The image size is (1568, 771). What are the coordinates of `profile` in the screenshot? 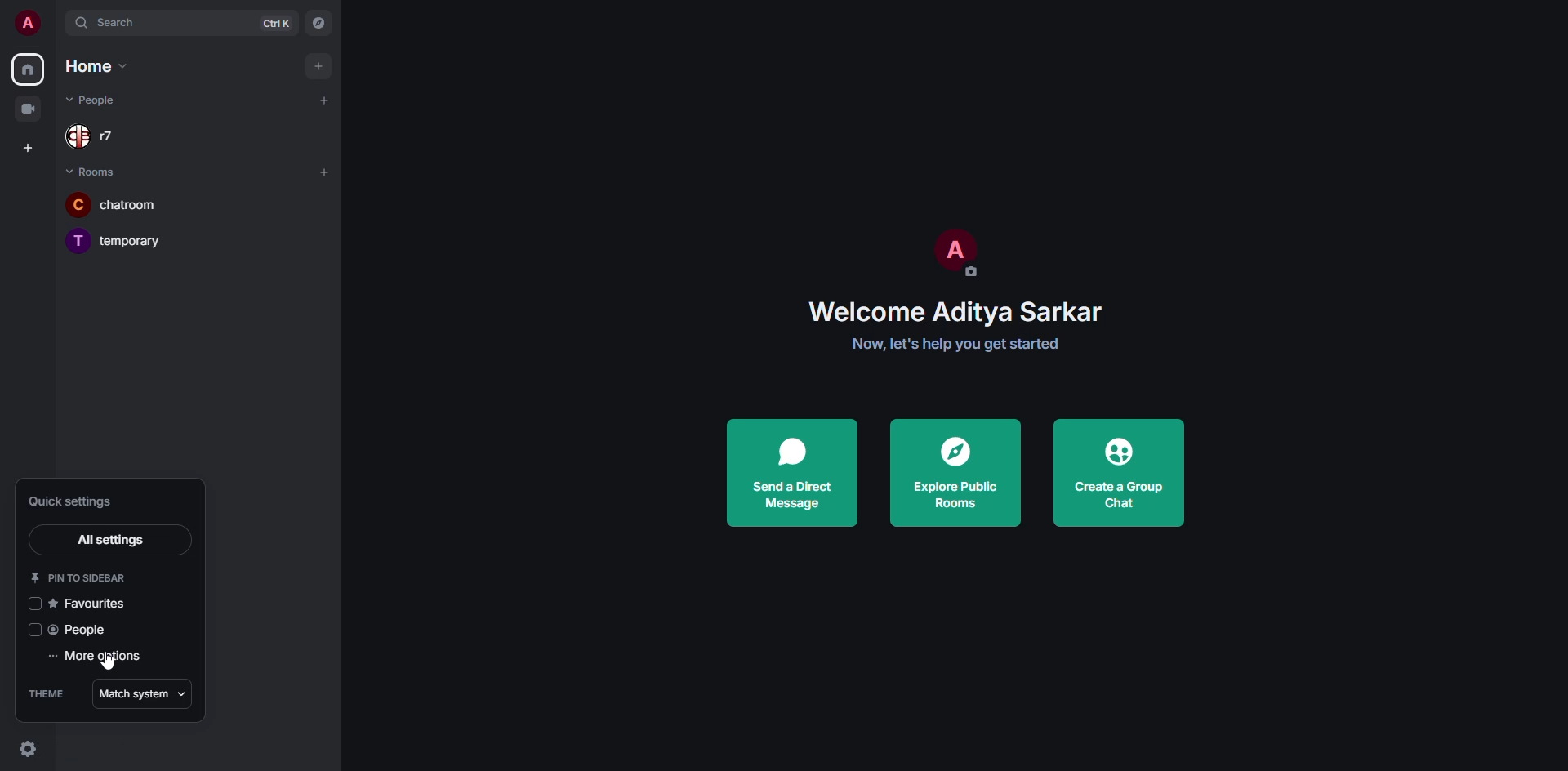 It's located at (28, 23).